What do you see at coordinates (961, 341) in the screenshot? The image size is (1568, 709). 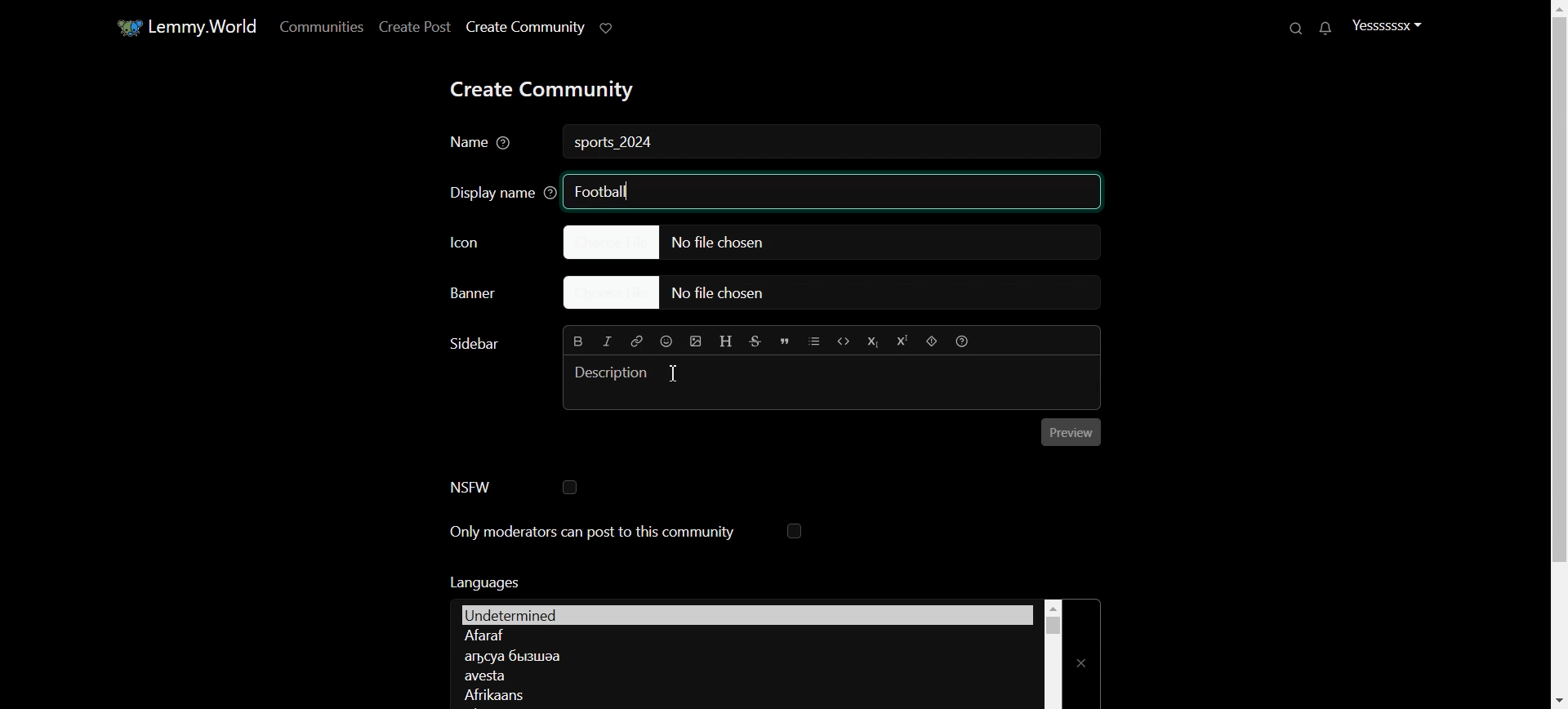 I see `Formatting Help` at bounding box center [961, 341].